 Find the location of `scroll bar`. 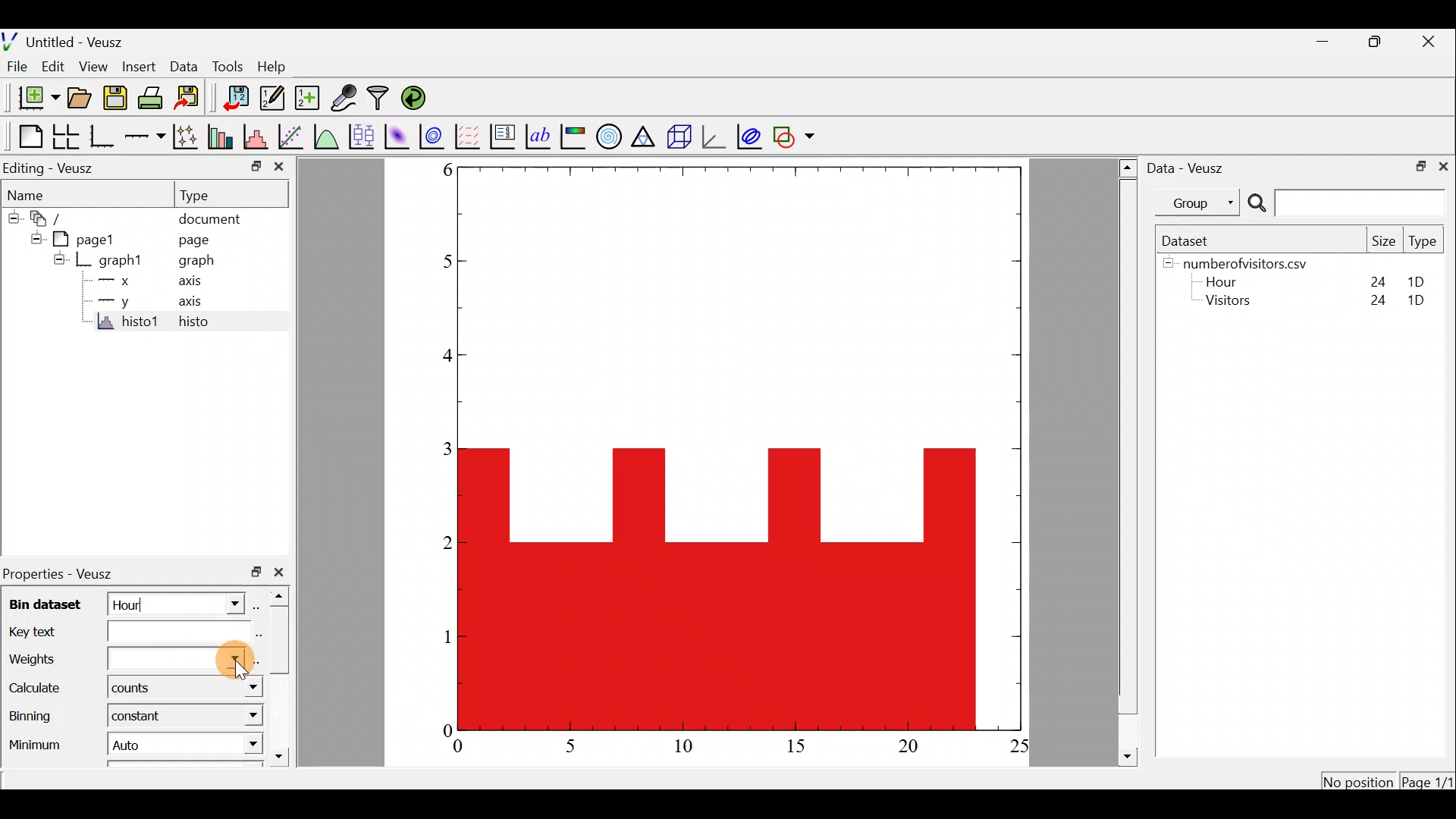

scroll bar is located at coordinates (1125, 460).